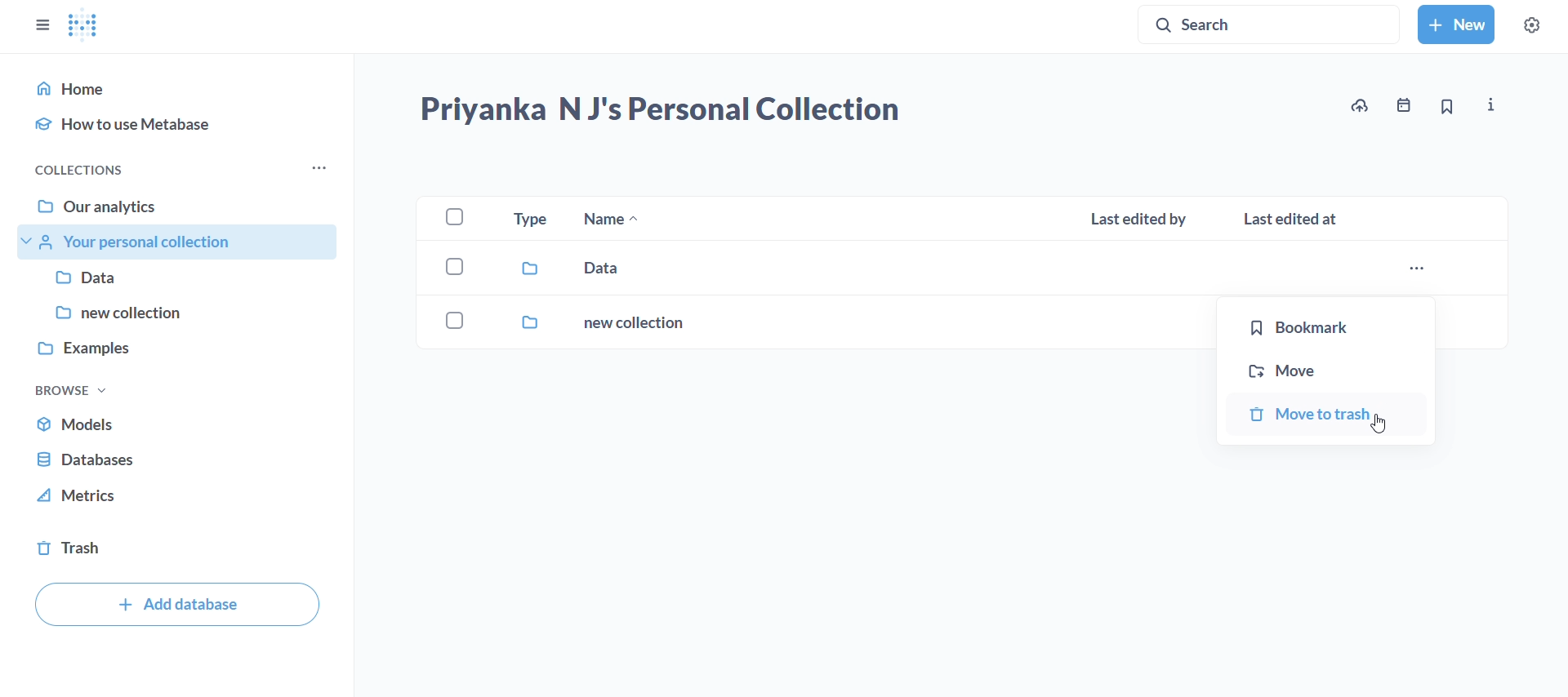  Describe the element at coordinates (1492, 104) in the screenshot. I see `more info` at that location.